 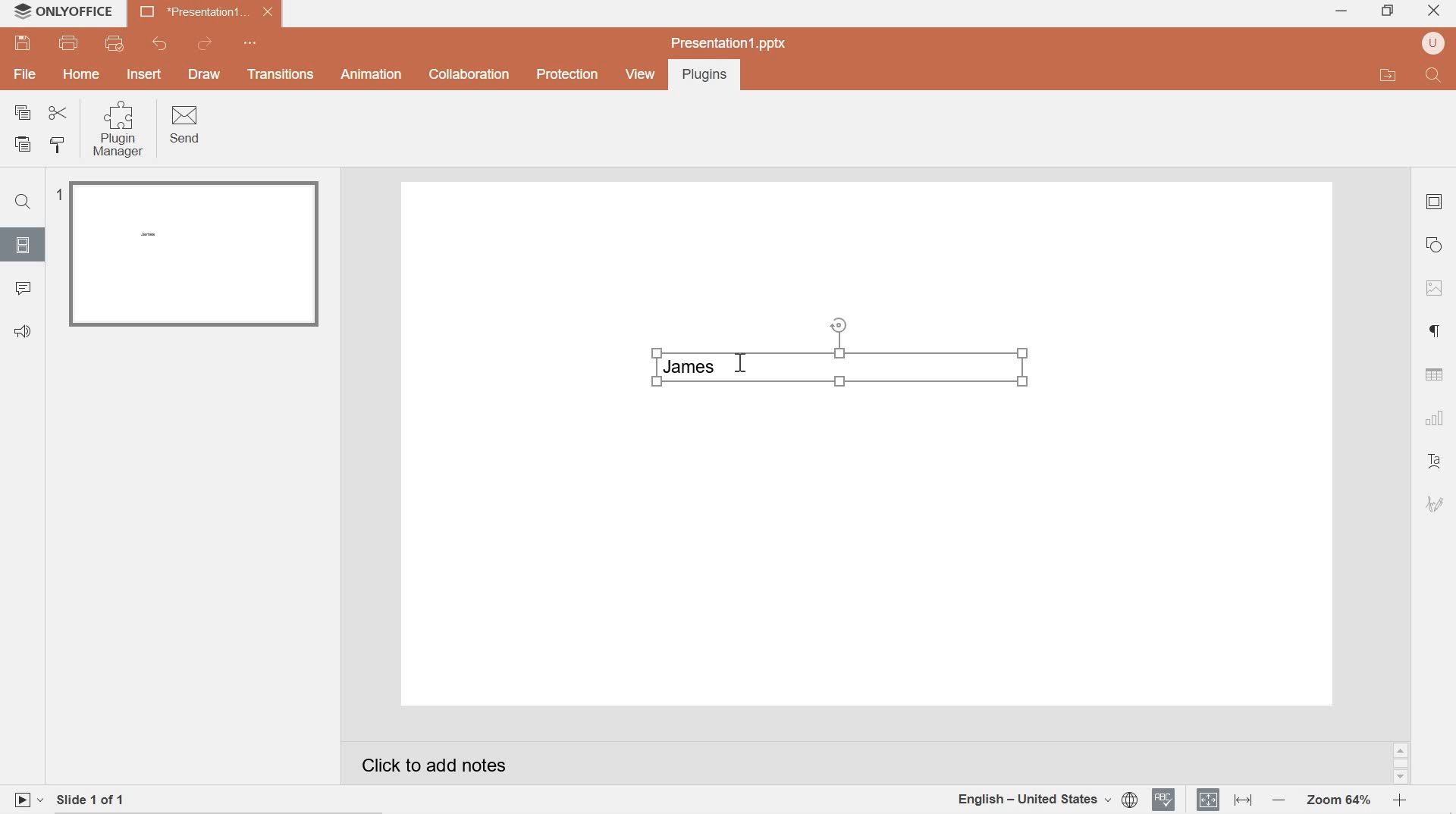 I want to click on quick access toolbar, so click(x=253, y=43).